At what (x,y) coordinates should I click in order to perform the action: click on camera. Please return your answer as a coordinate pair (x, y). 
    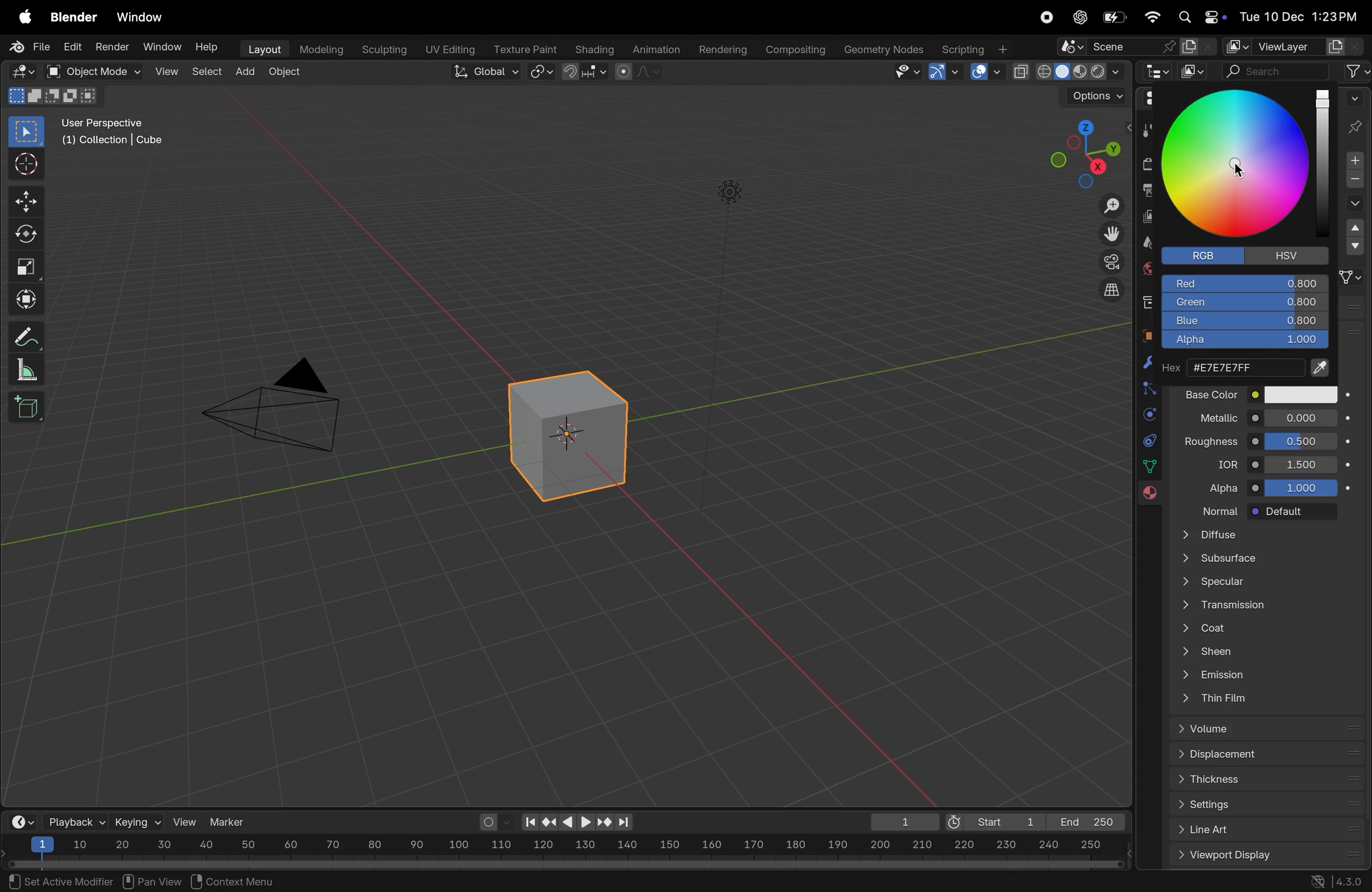
    Looking at the image, I should click on (1109, 262).